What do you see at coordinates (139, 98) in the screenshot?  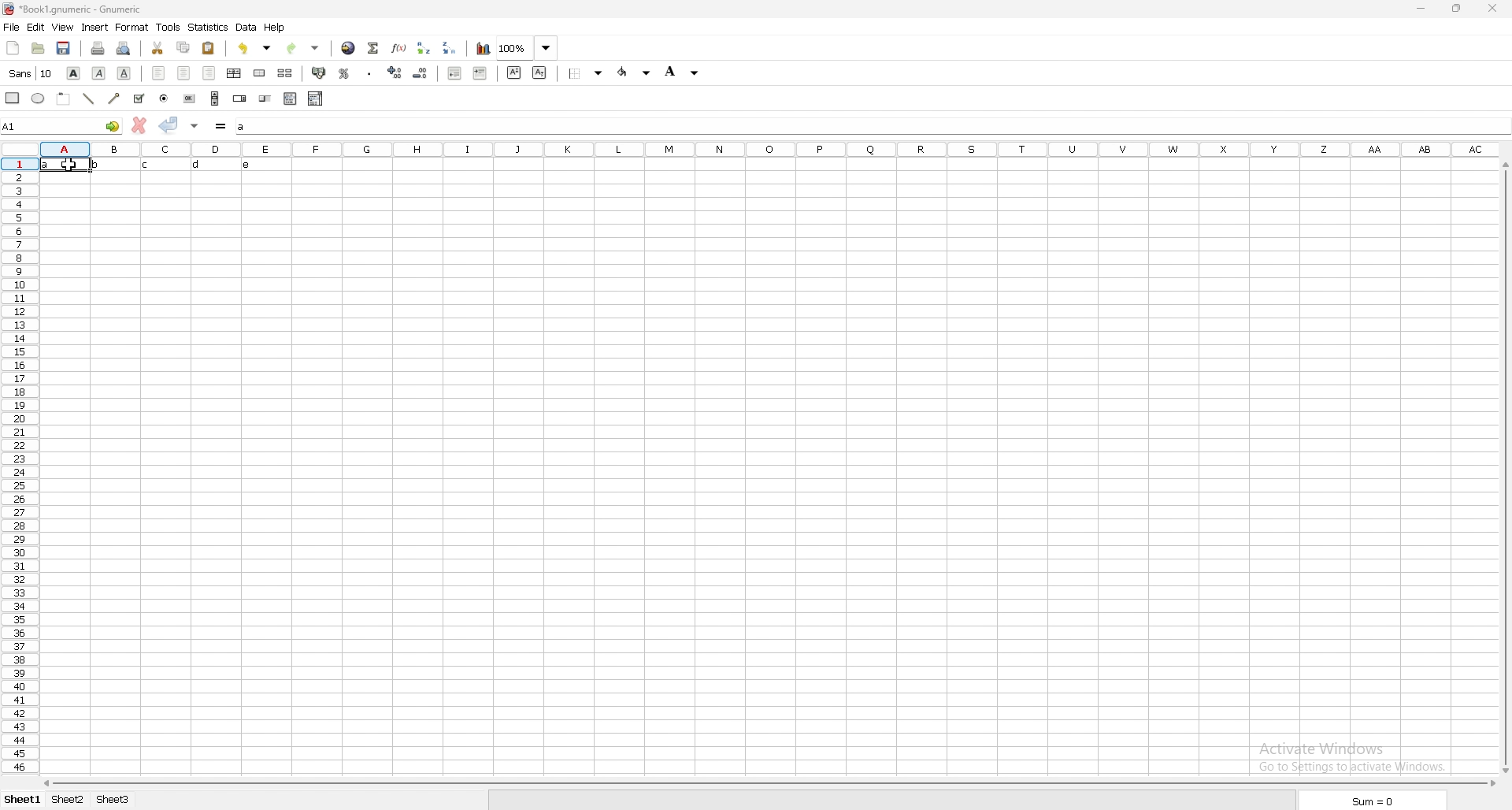 I see `tickbox` at bounding box center [139, 98].